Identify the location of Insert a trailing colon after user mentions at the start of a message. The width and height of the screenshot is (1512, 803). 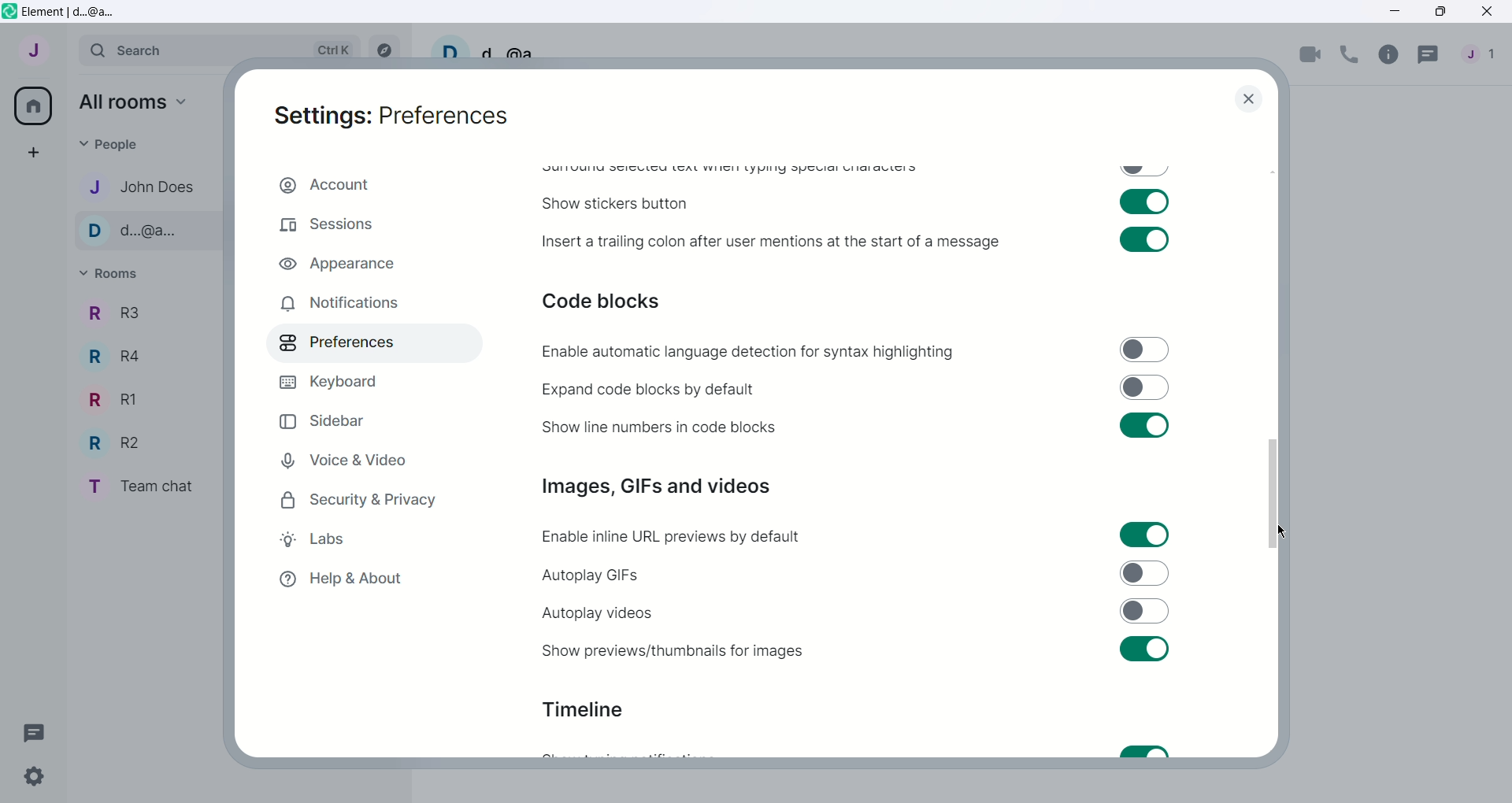
(773, 242).